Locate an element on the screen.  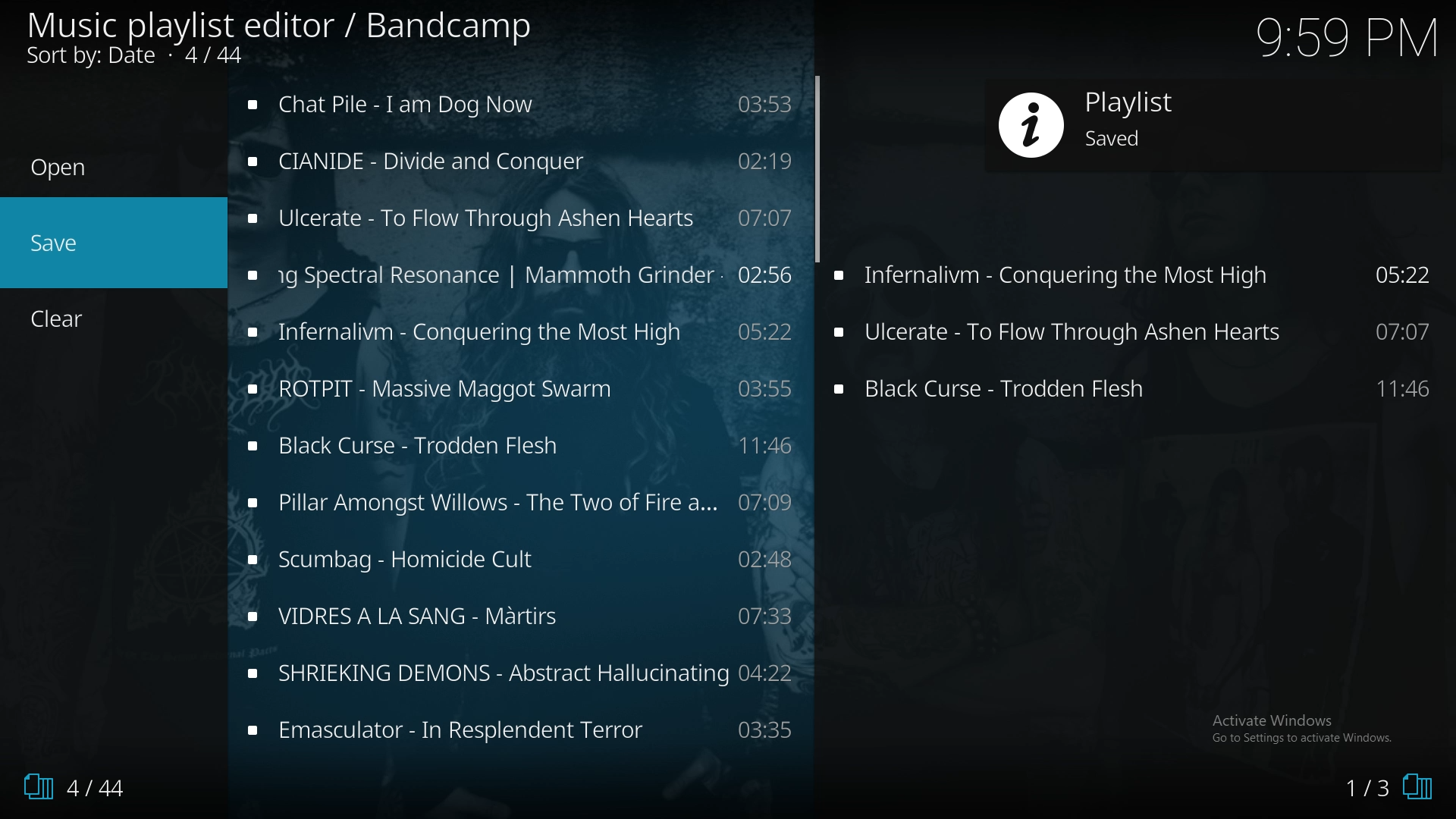
music is located at coordinates (516, 333).